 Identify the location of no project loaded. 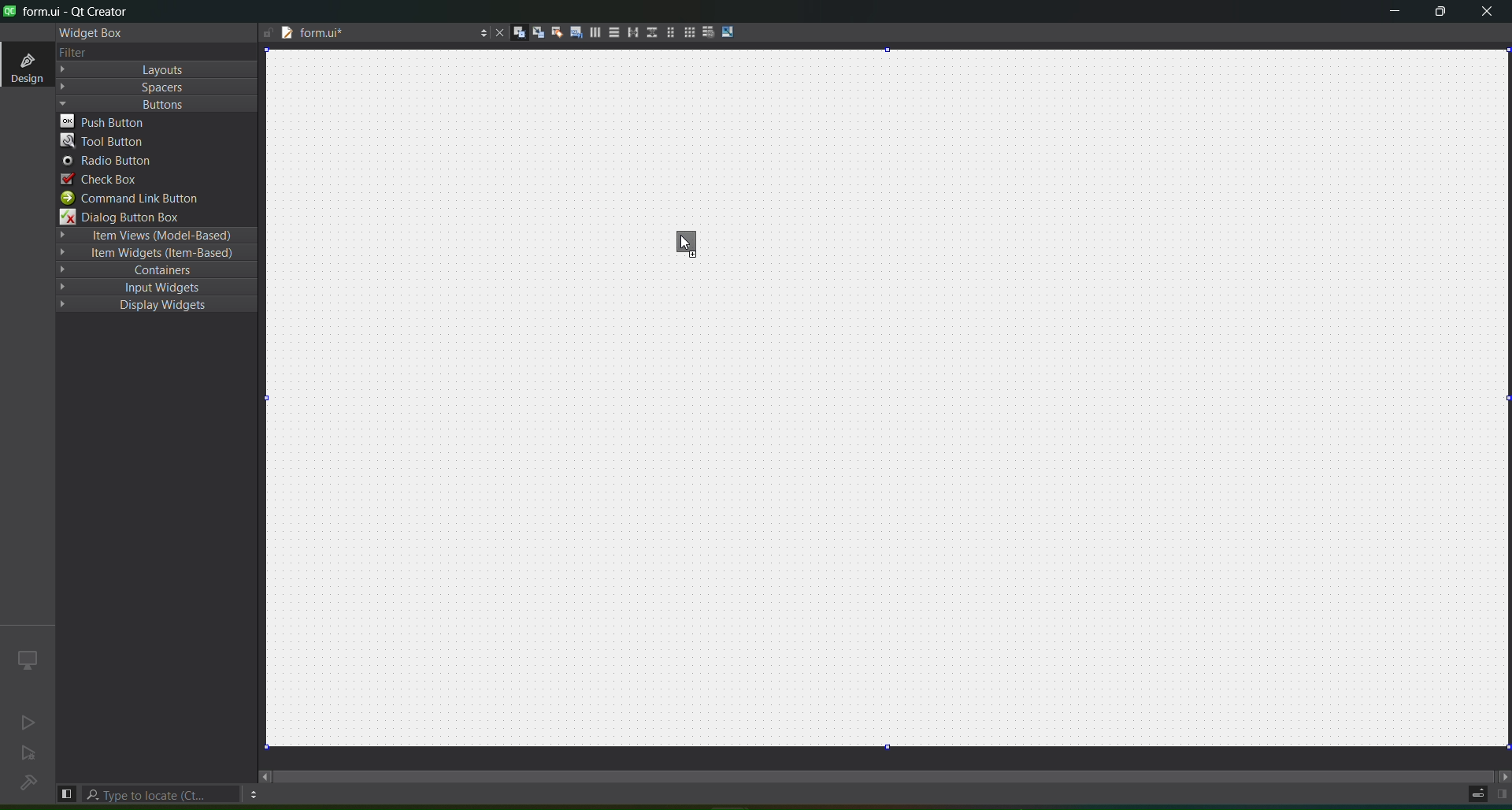
(30, 782).